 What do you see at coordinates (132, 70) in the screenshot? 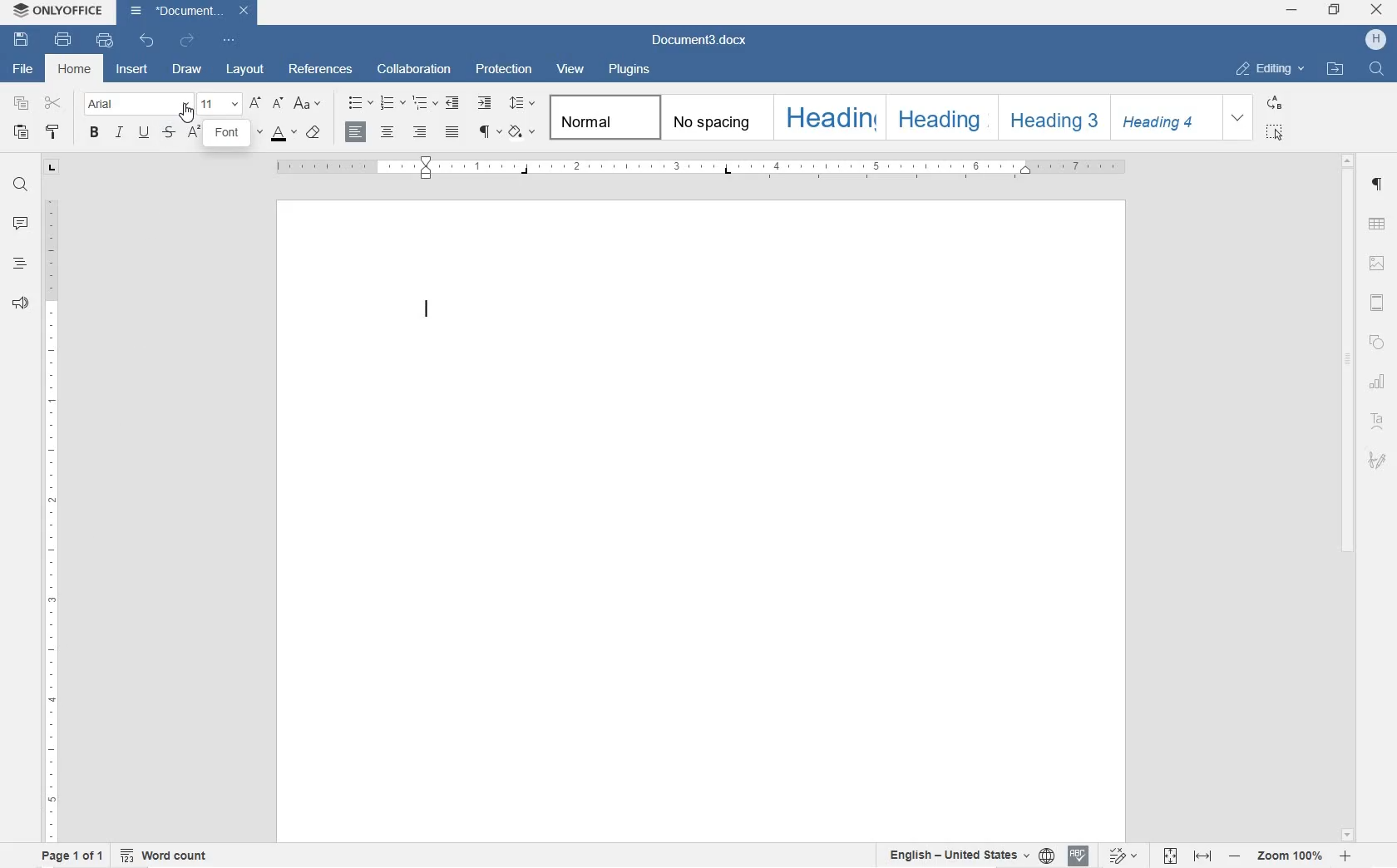
I see `INSERT` at bounding box center [132, 70].